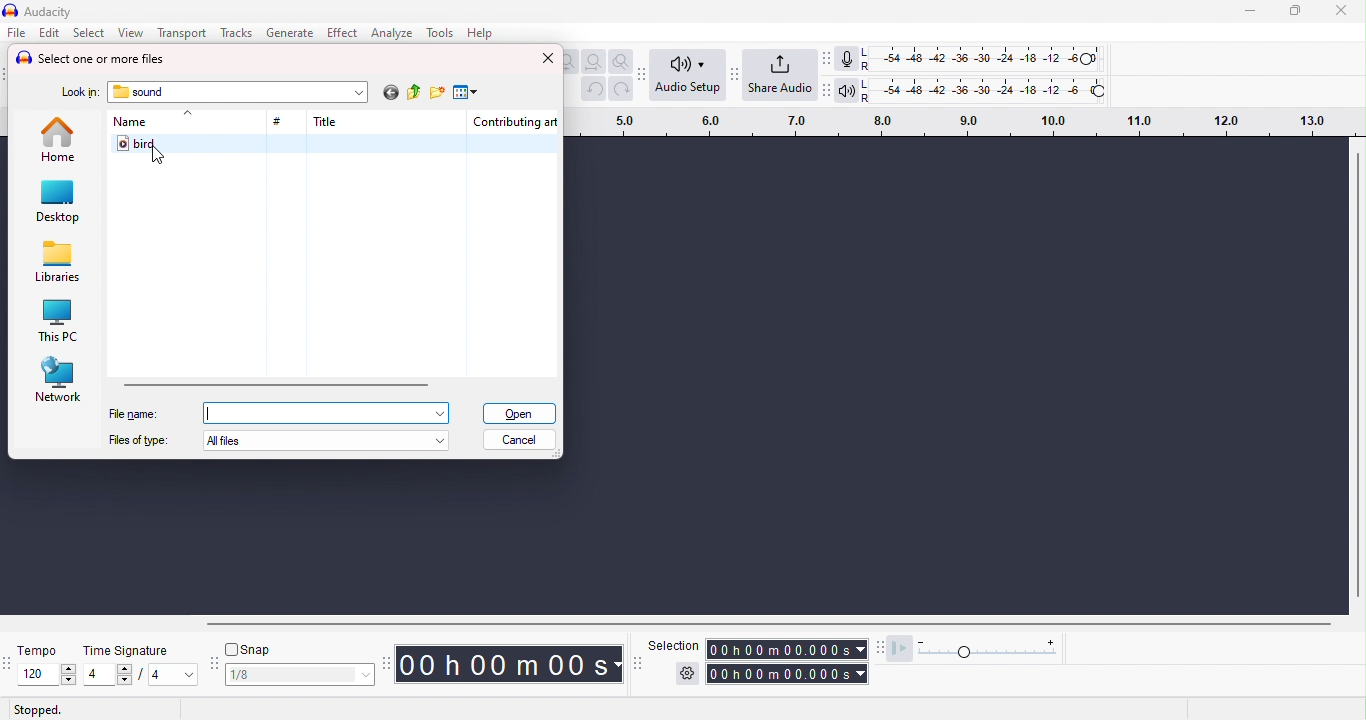 The width and height of the screenshot is (1366, 720). I want to click on help, so click(479, 32).